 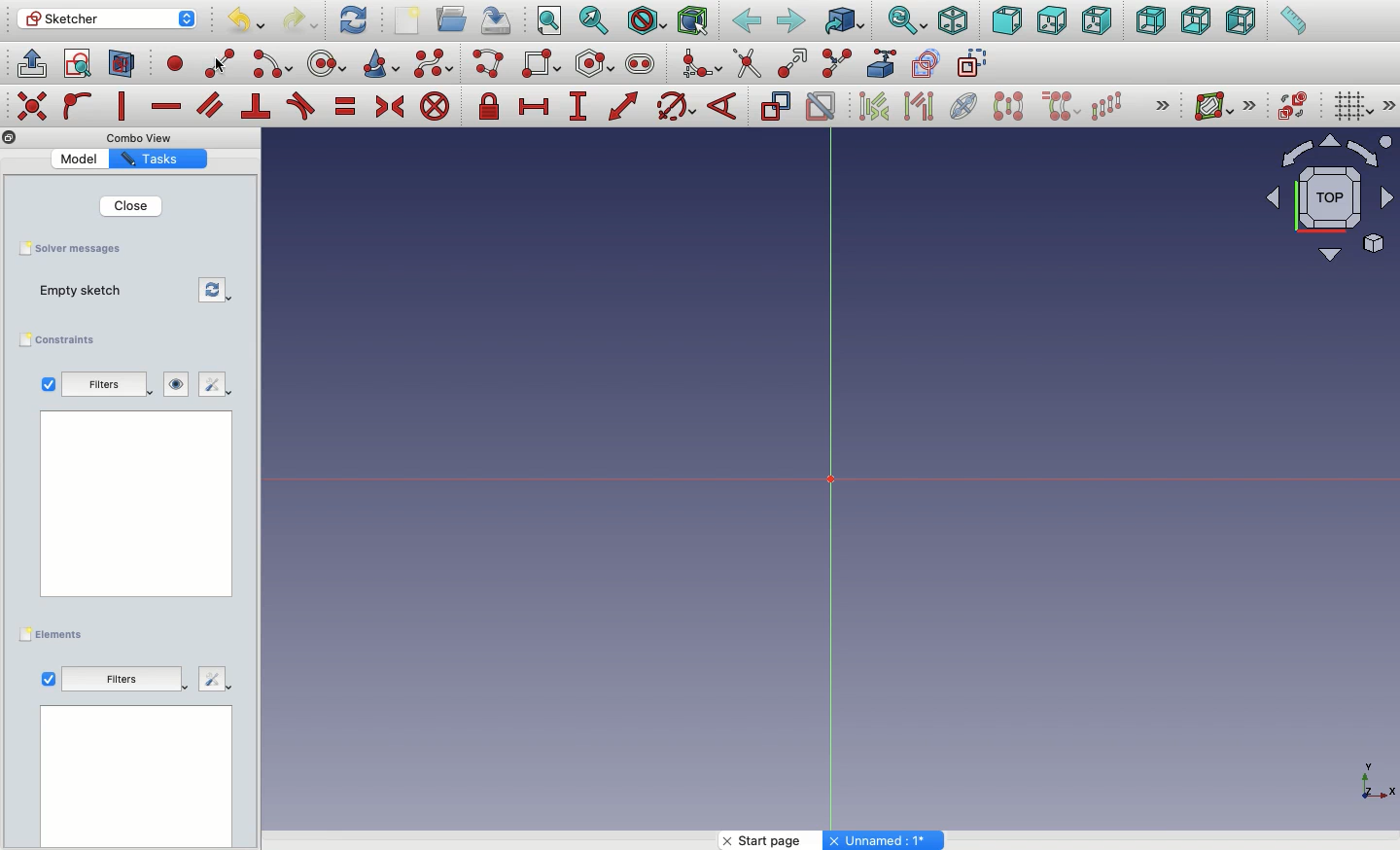 What do you see at coordinates (435, 108) in the screenshot?
I see `Constrain block` at bounding box center [435, 108].